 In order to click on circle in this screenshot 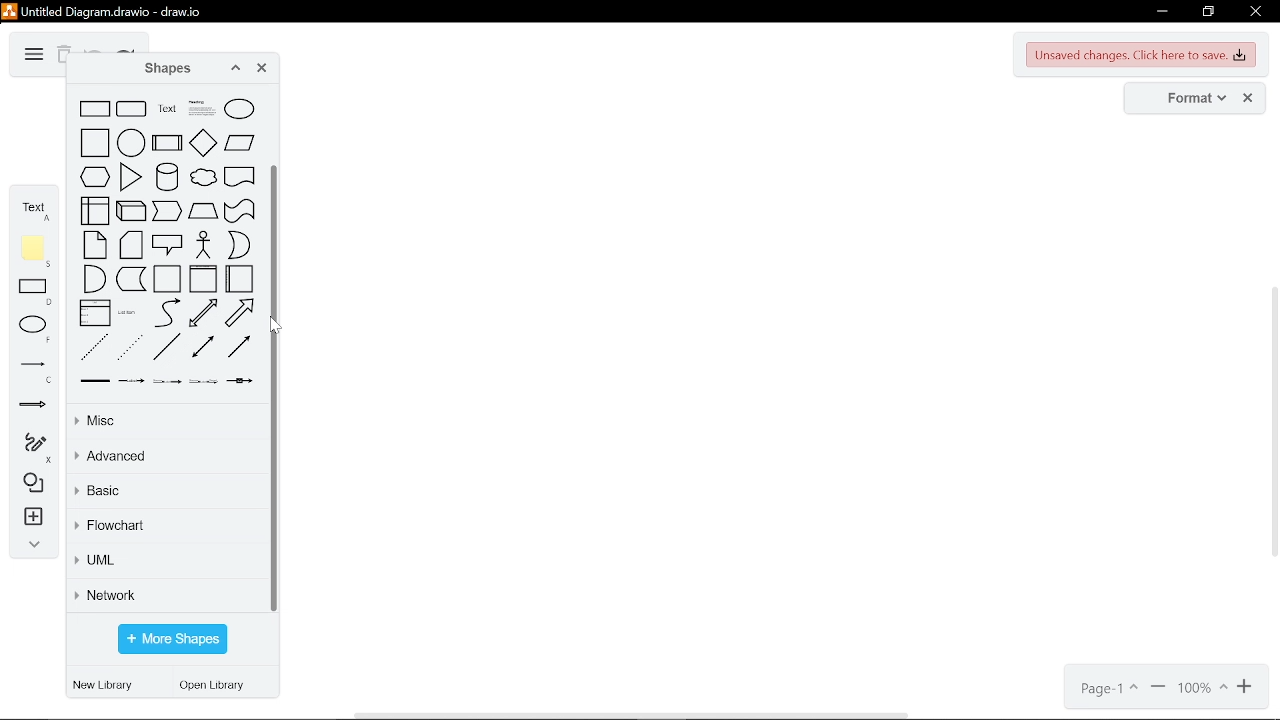, I will do `click(131, 142)`.